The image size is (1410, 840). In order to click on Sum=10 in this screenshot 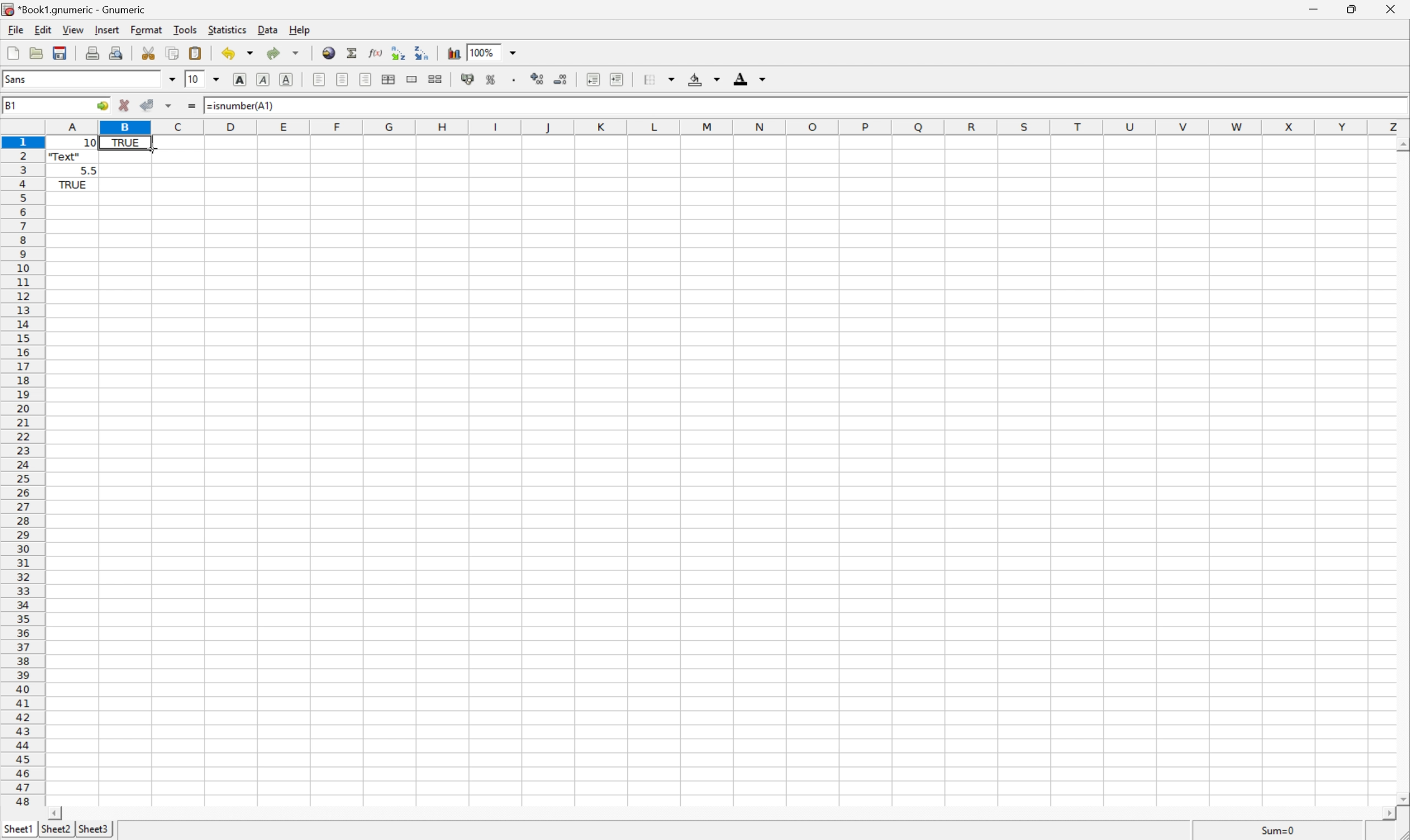, I will do `click(1279, 829)`.